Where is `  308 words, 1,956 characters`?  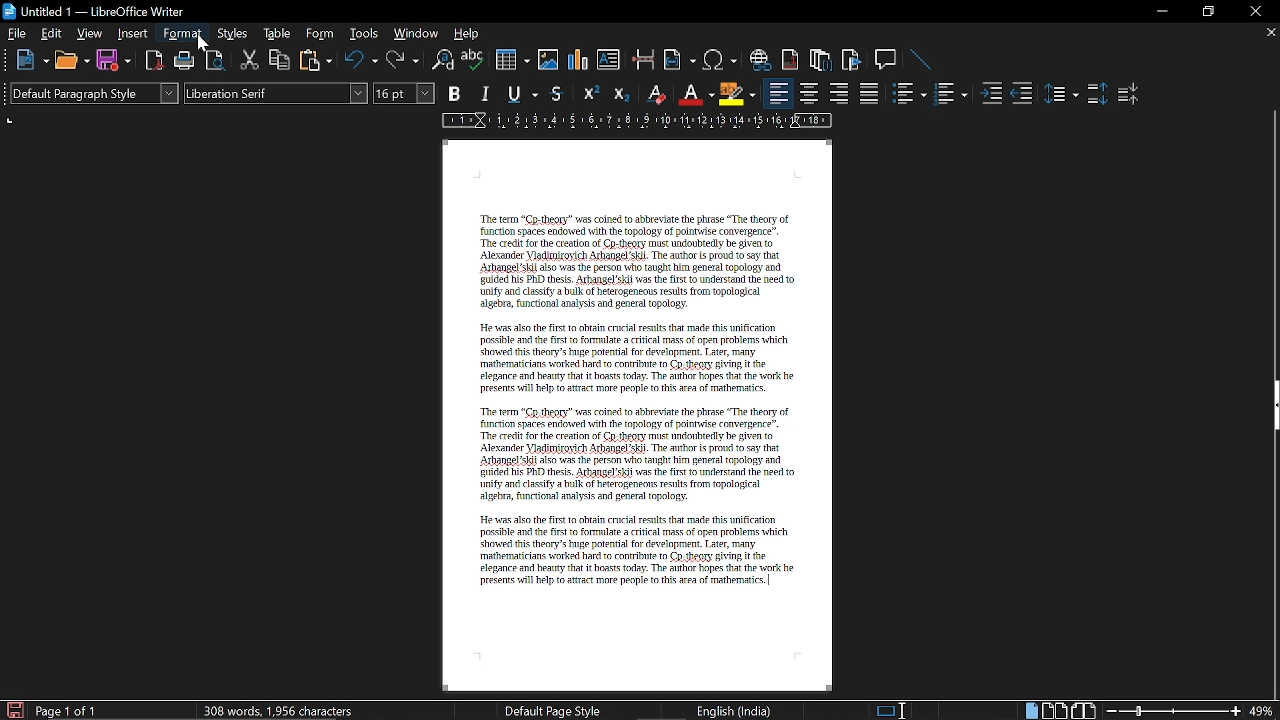
  308 words, 1,956 characters is located at coordinates (283, 711).